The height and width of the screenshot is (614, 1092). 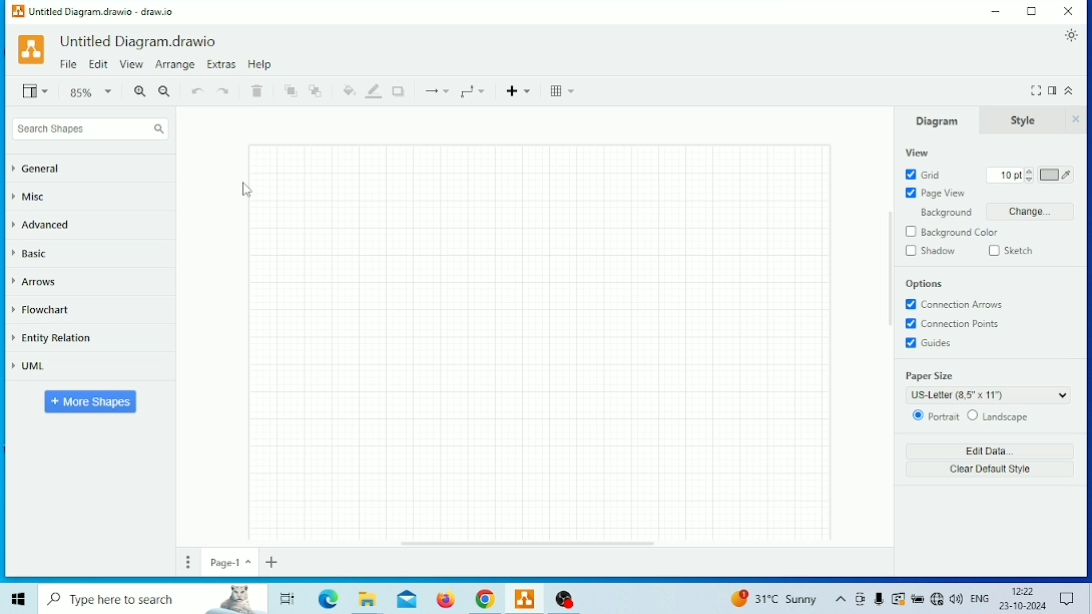 I want to click on Shadow, so click(x=399, y=90).